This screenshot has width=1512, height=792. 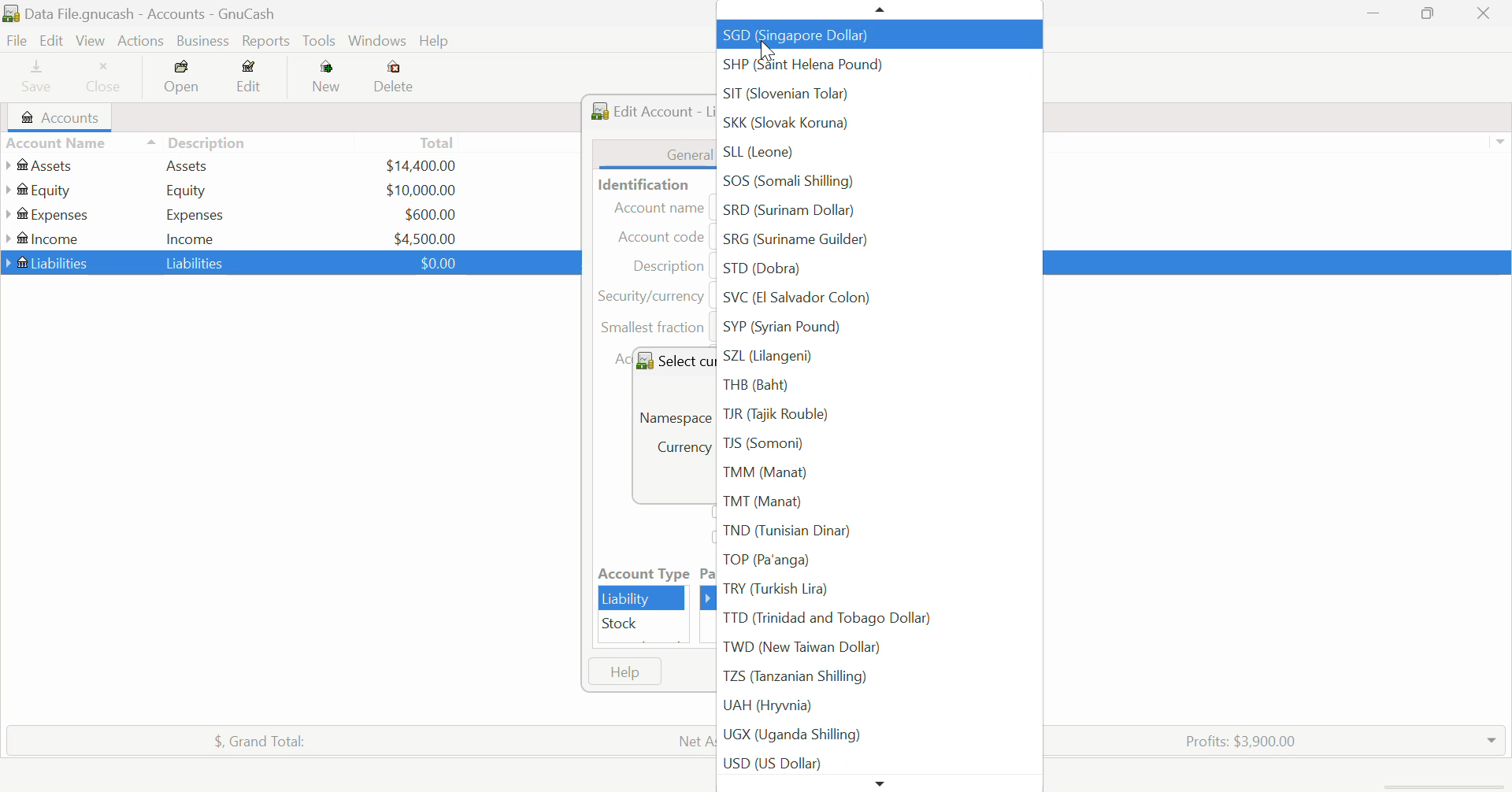 What do you see at coordinates (878, 646) in the screenshot?
I see `TWD` at bounding box center [878, 646].